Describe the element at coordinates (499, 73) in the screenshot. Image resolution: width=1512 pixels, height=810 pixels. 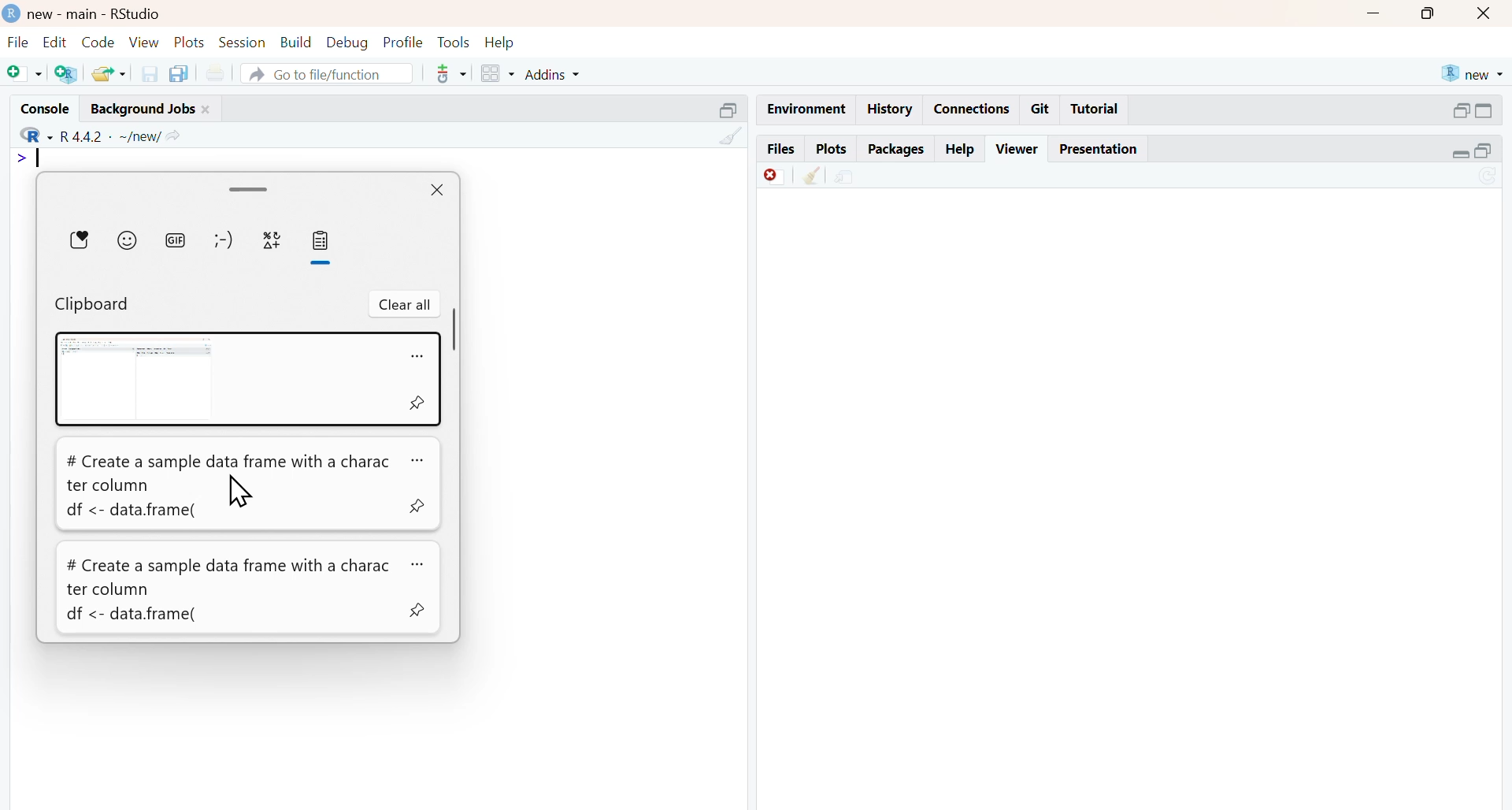
I see `grid` at that location.